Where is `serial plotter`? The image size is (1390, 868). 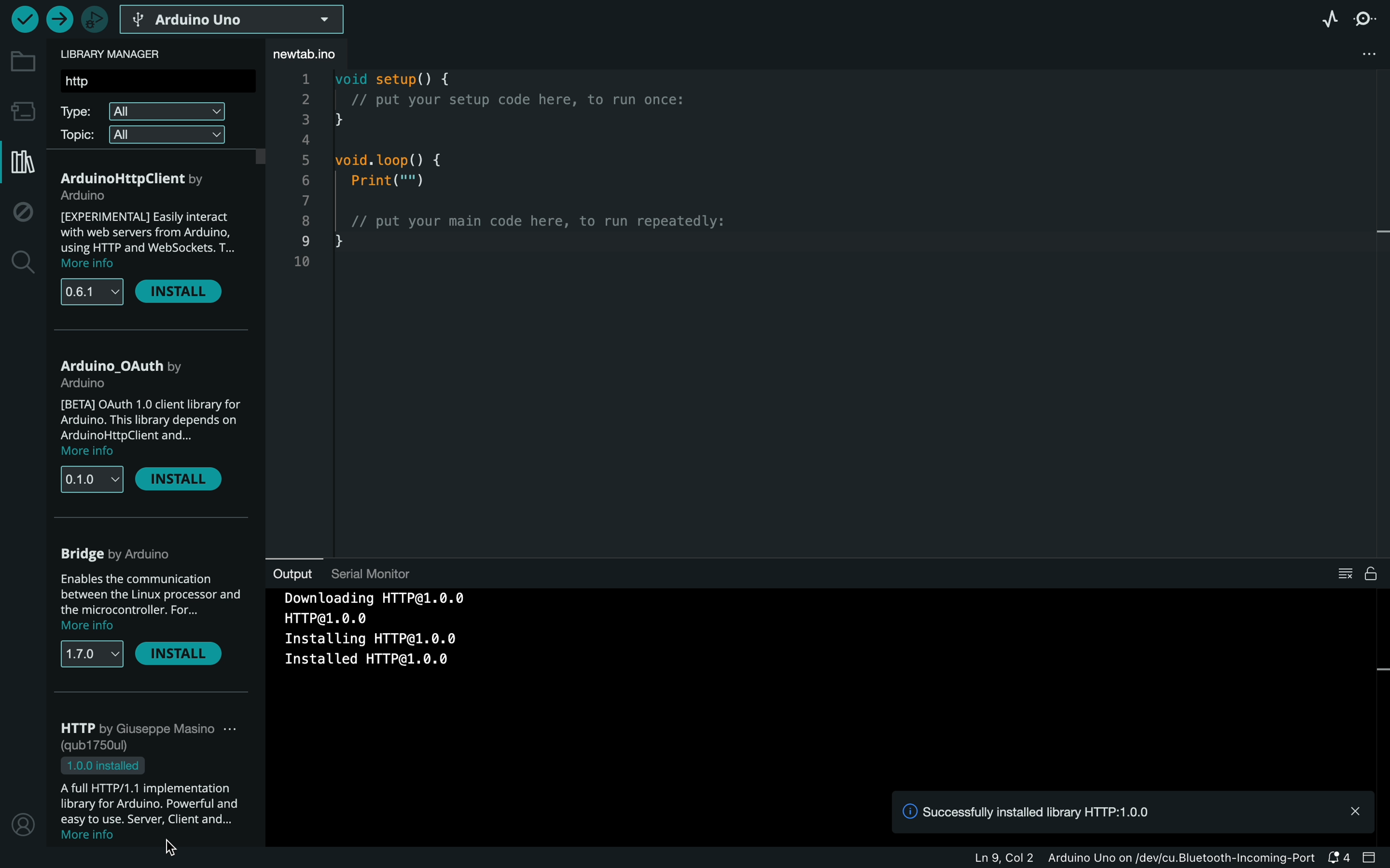 serial plotter is located at coordinates (1326, 17).